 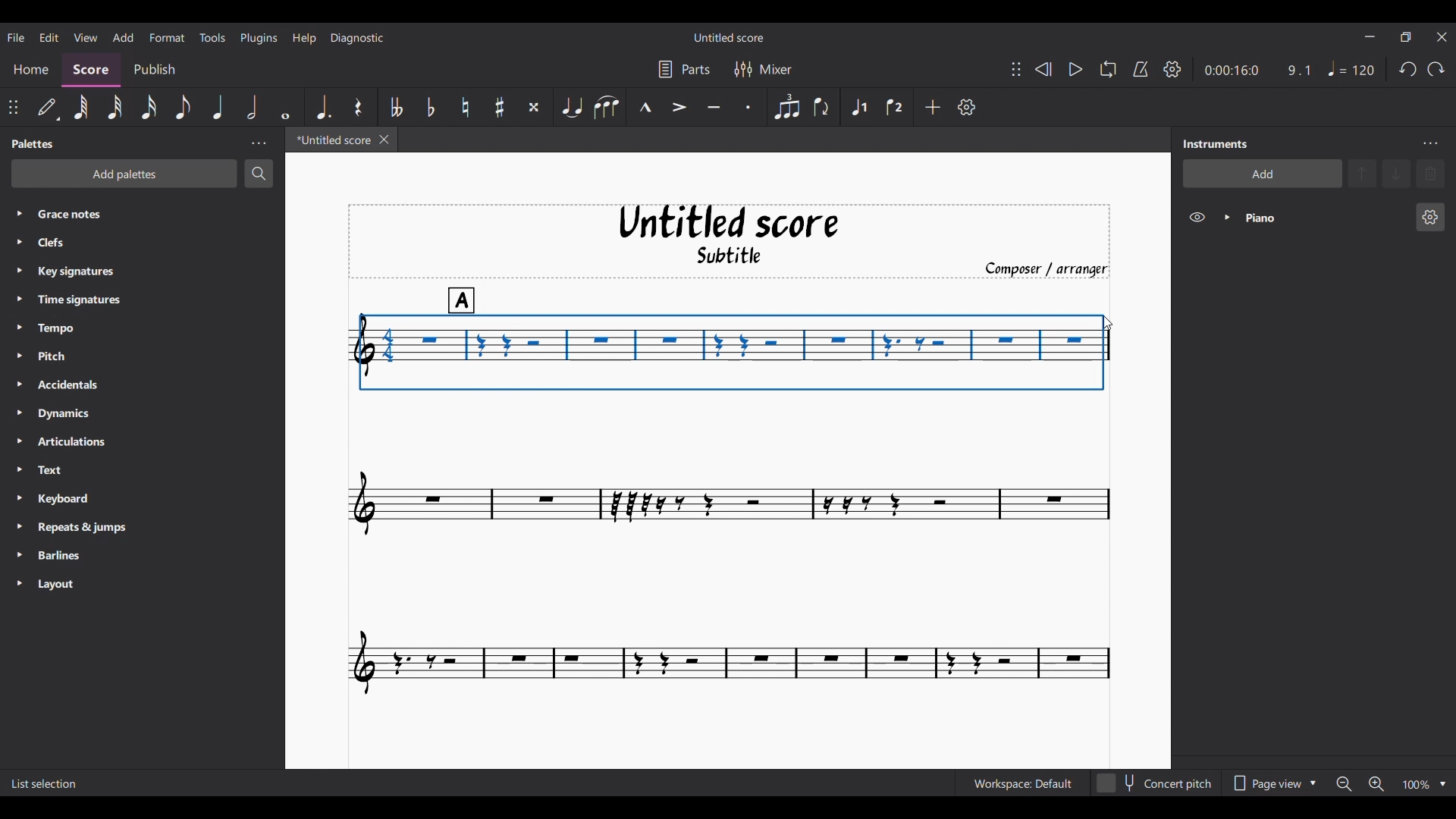 What do you see at coordinates (747, 107) in the screenshot?
I see `Staccato` at bounding box center [747, 107].